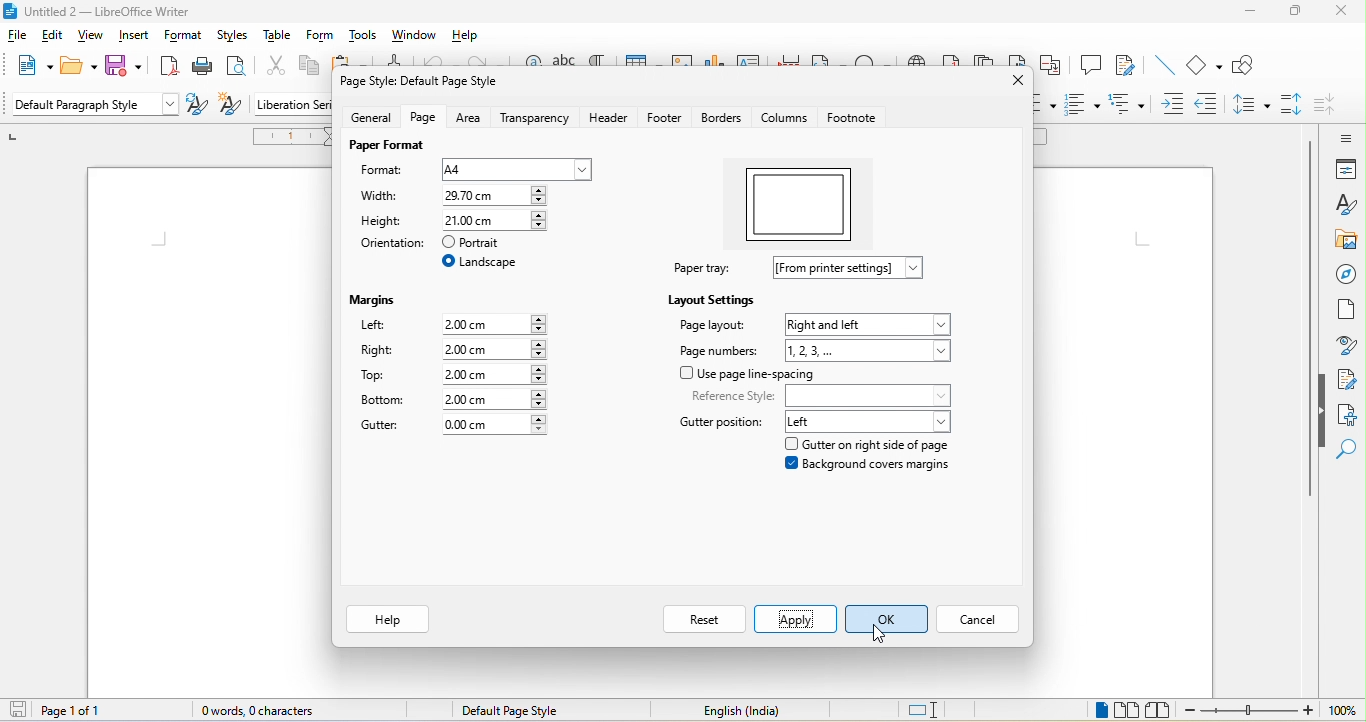 This screenshot has height=722, width=1366. I want to click on decrease indent, so click(1210, 104).